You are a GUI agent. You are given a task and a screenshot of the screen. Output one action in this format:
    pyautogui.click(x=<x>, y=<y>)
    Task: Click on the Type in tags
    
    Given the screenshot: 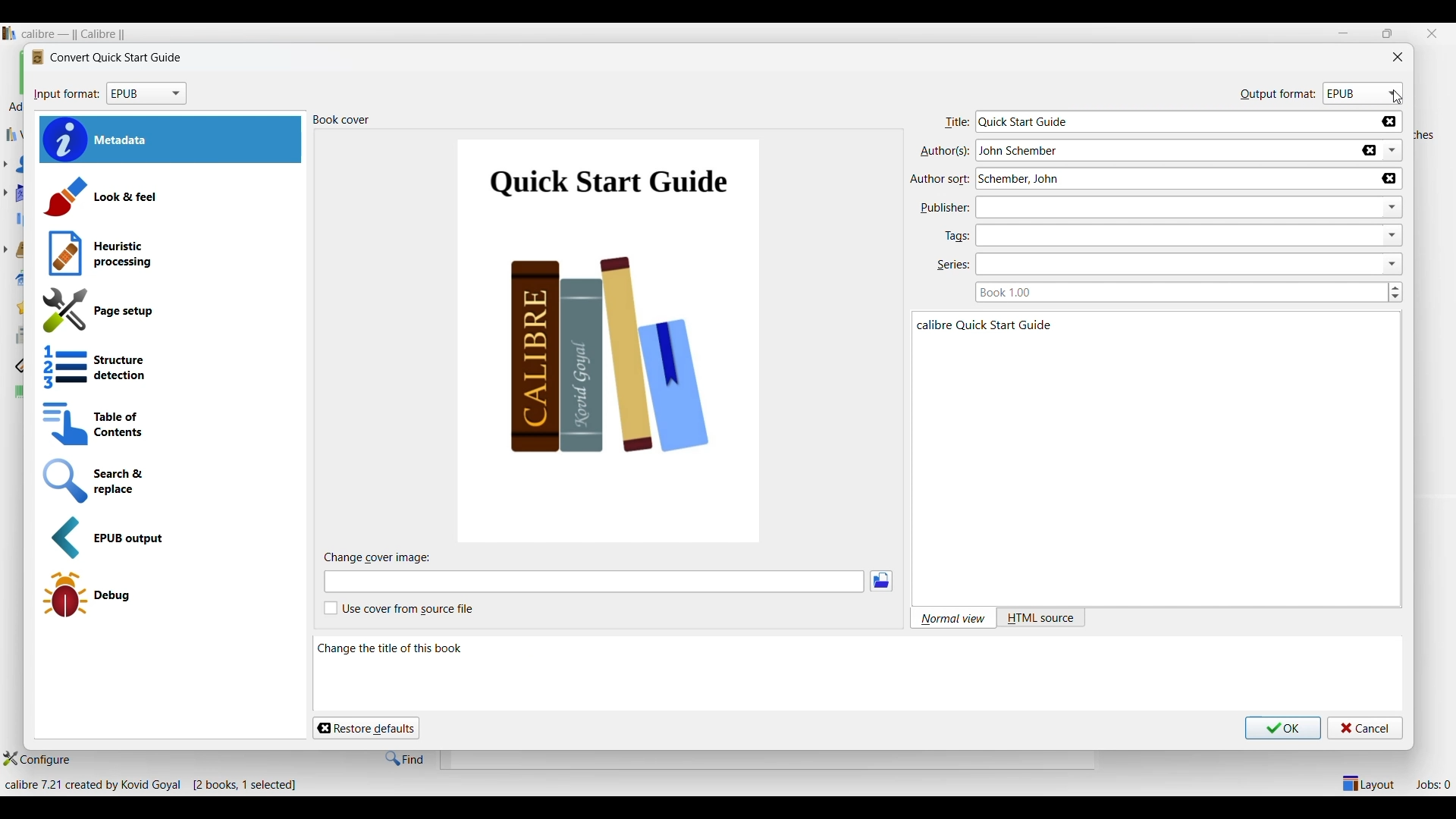 What is the action you would take?
    pyautogui.click(x=1159, y=235)
    